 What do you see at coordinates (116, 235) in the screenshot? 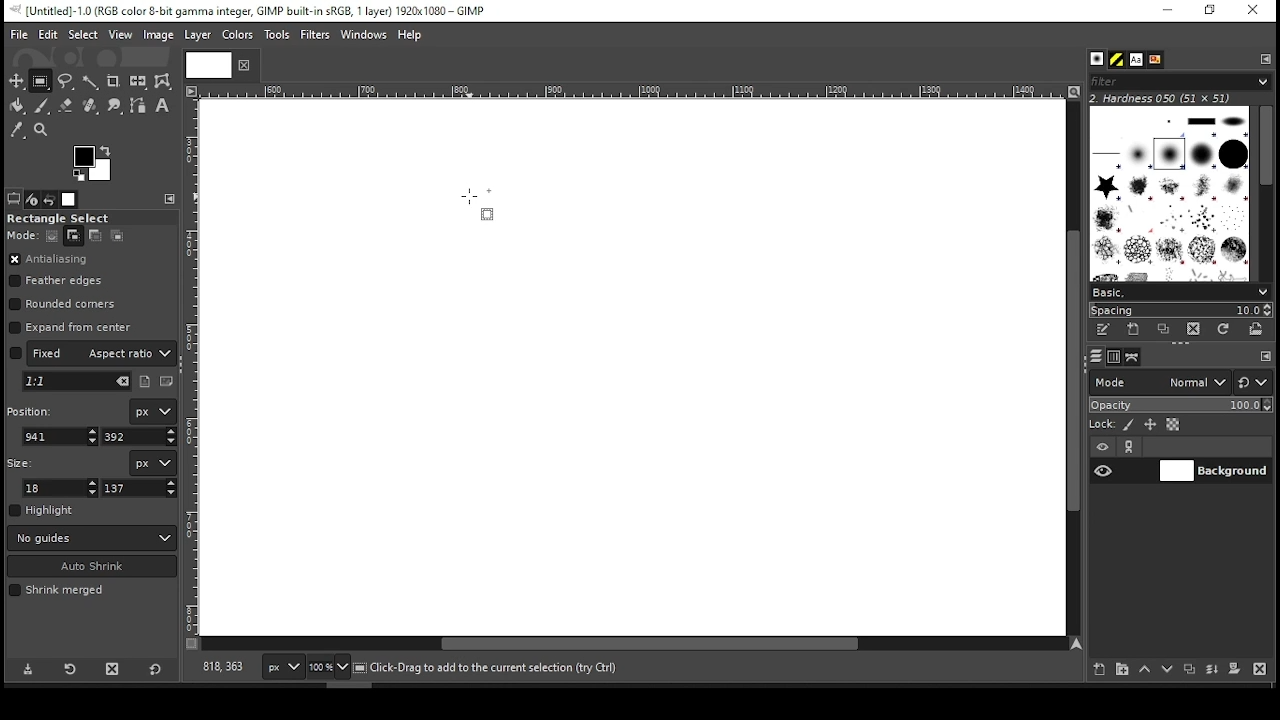
I see `intersect with the current selection` at bounding box center [116, 235].